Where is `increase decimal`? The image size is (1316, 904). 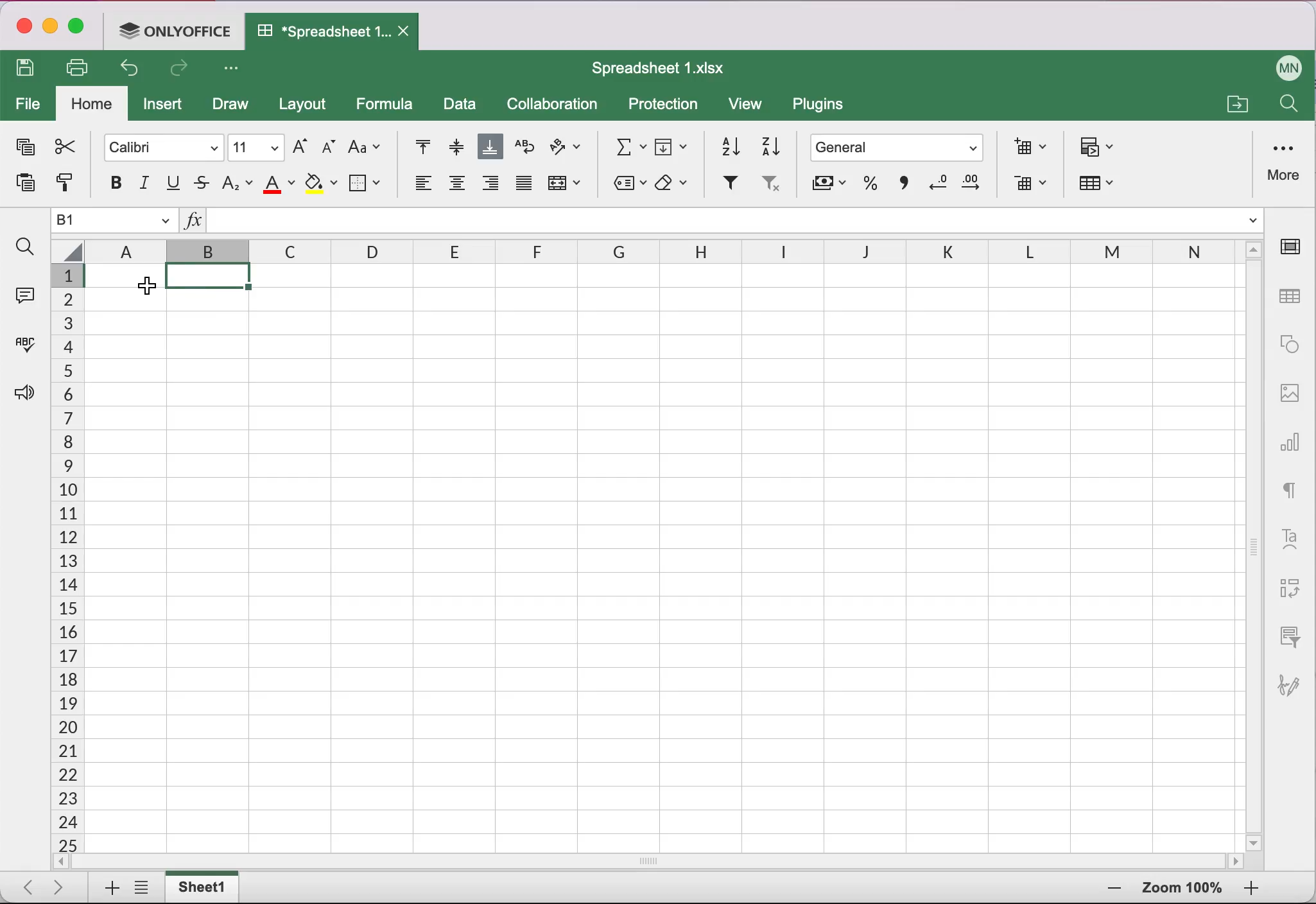 increase decimal is located at coordinates (976, 186).